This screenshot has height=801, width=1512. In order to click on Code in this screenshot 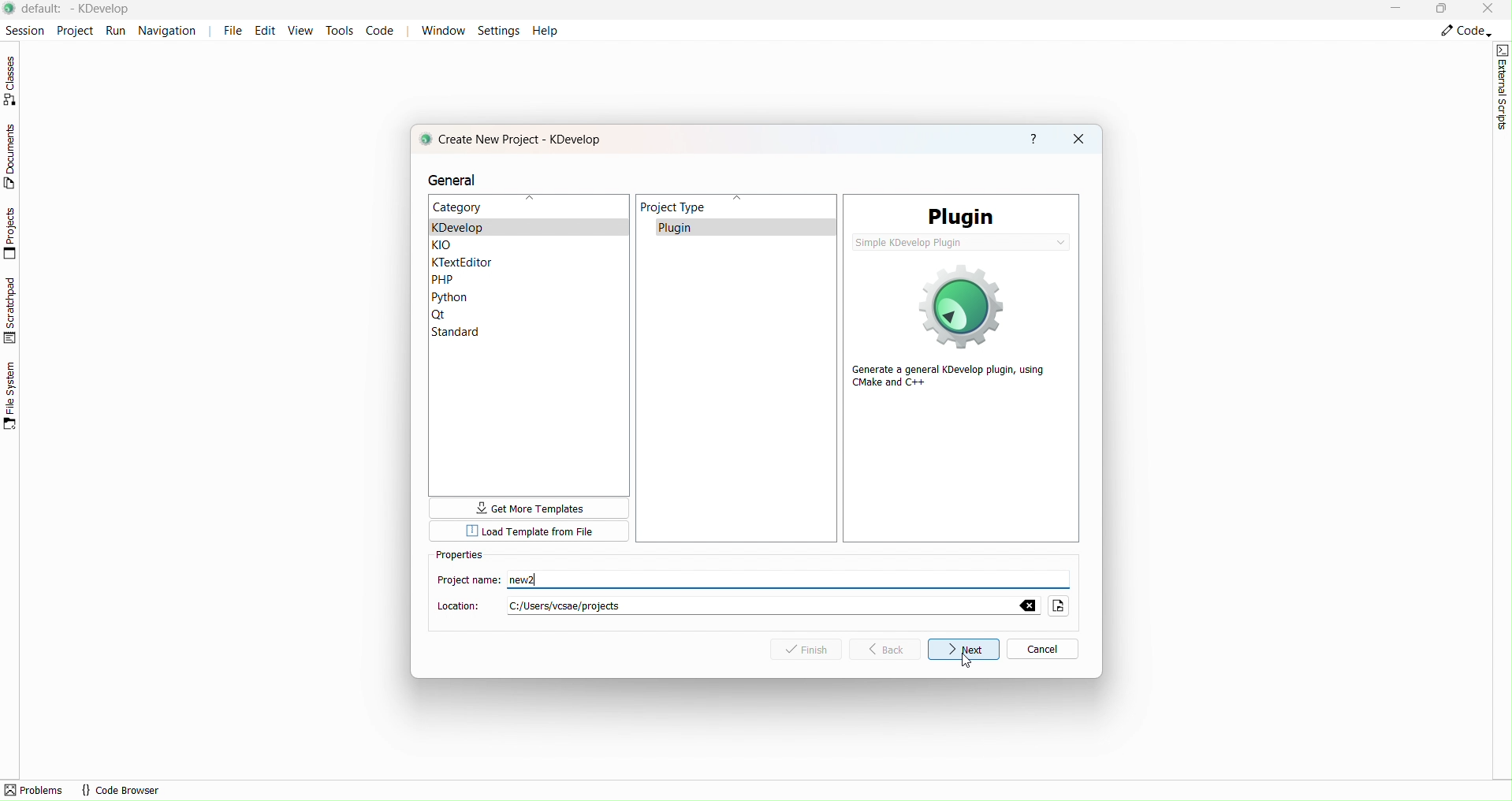, I will do `click(1465, 32)`.